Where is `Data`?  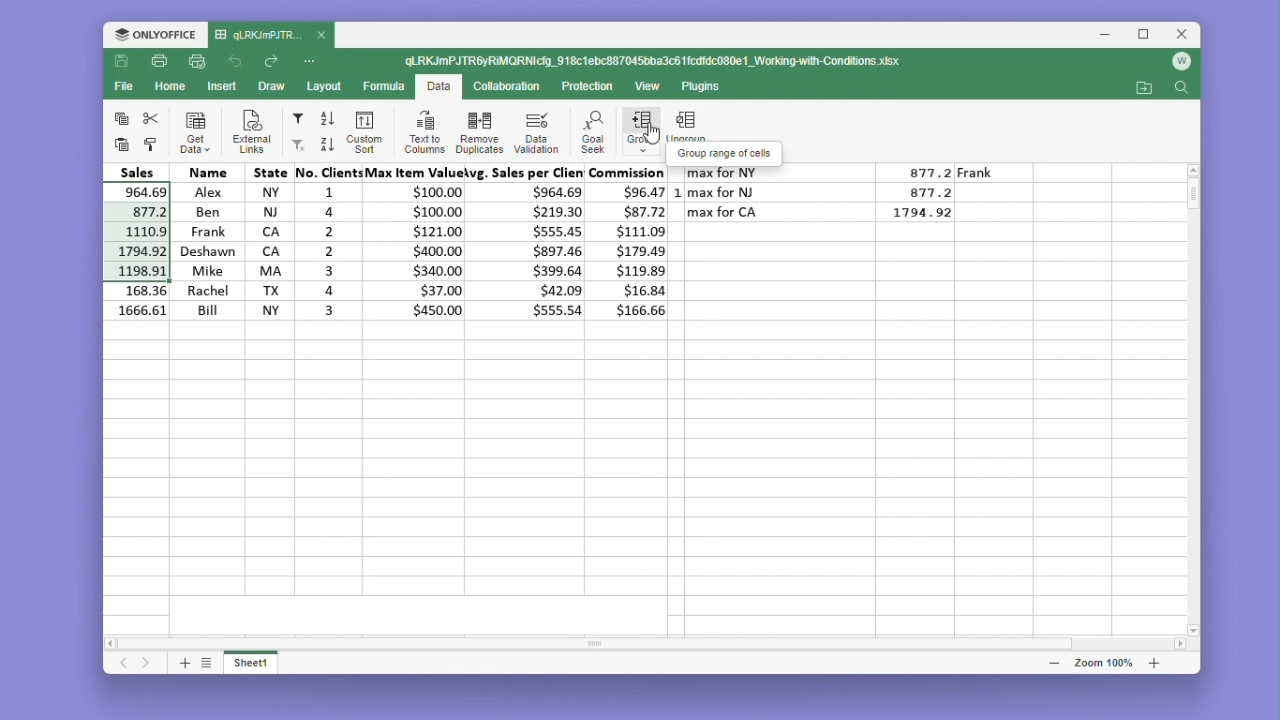
Data is located at coordinates (423, 250).